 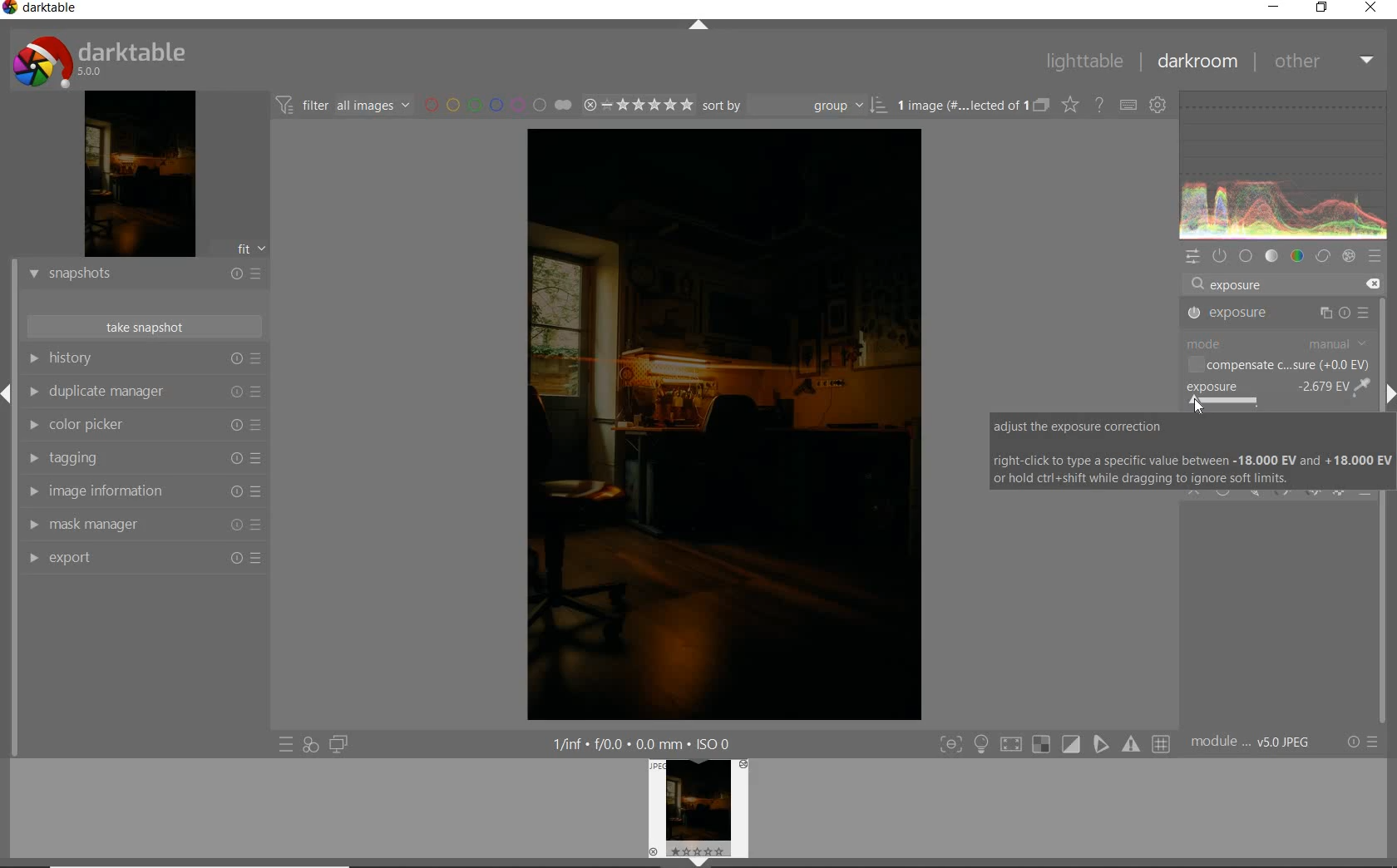 I want to click on reset or presets & preferences, so click(x=1362, y=740).